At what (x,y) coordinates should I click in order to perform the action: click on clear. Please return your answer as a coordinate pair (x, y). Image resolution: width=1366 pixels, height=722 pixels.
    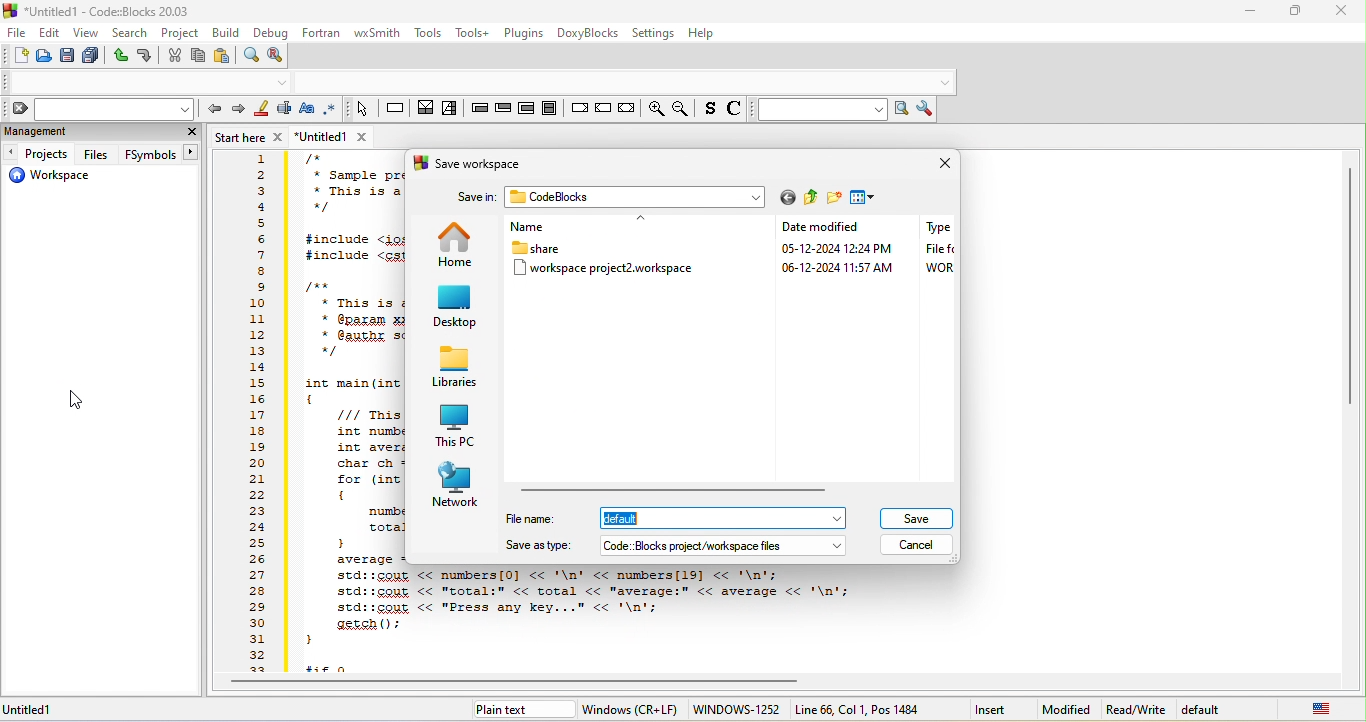
    Looking at the image, I should click on (98, 109).